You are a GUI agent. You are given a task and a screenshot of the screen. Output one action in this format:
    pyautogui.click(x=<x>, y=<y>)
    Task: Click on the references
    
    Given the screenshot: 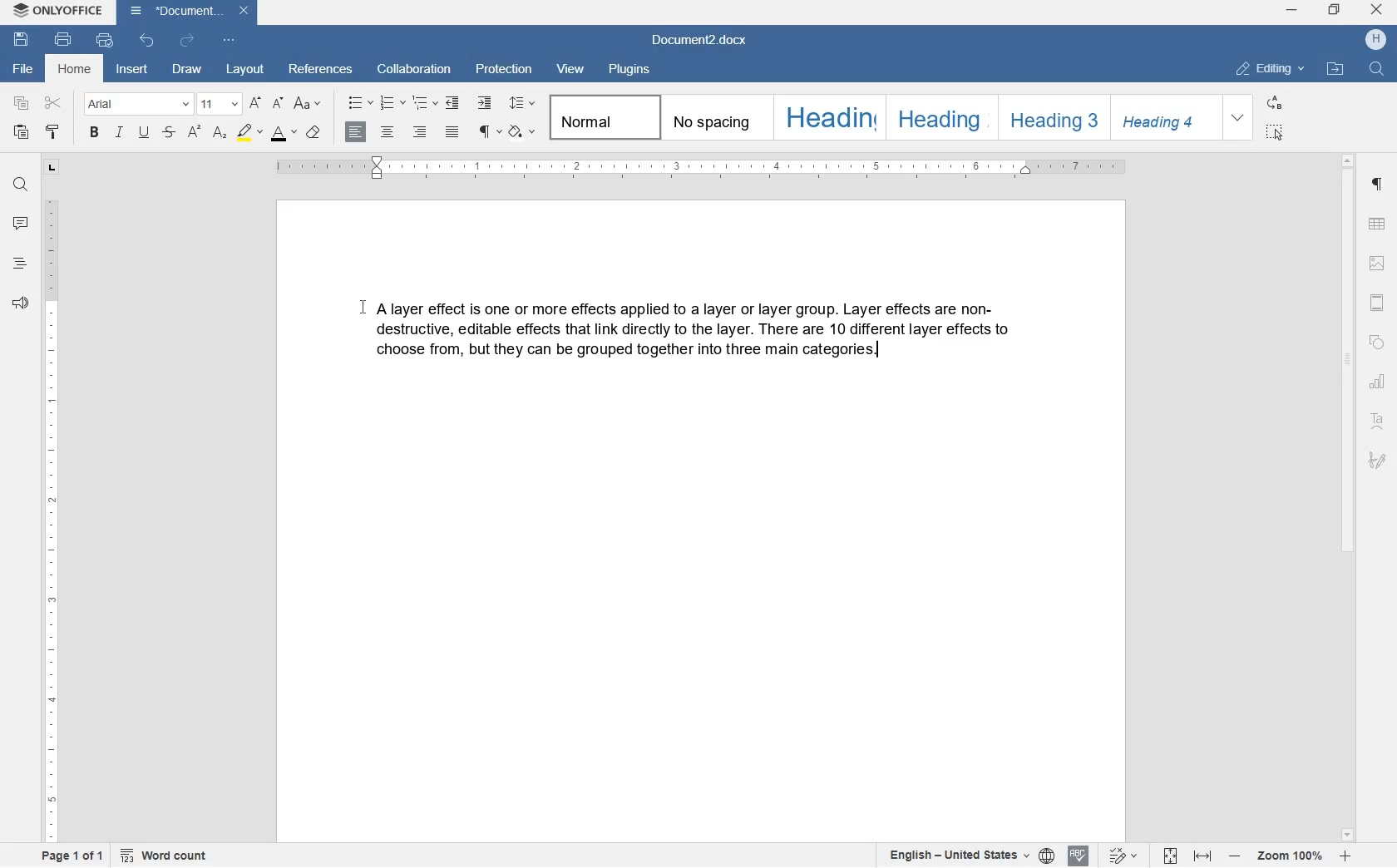 What is the action you would take?
    pyautogui.click(x=320, y=71)
    